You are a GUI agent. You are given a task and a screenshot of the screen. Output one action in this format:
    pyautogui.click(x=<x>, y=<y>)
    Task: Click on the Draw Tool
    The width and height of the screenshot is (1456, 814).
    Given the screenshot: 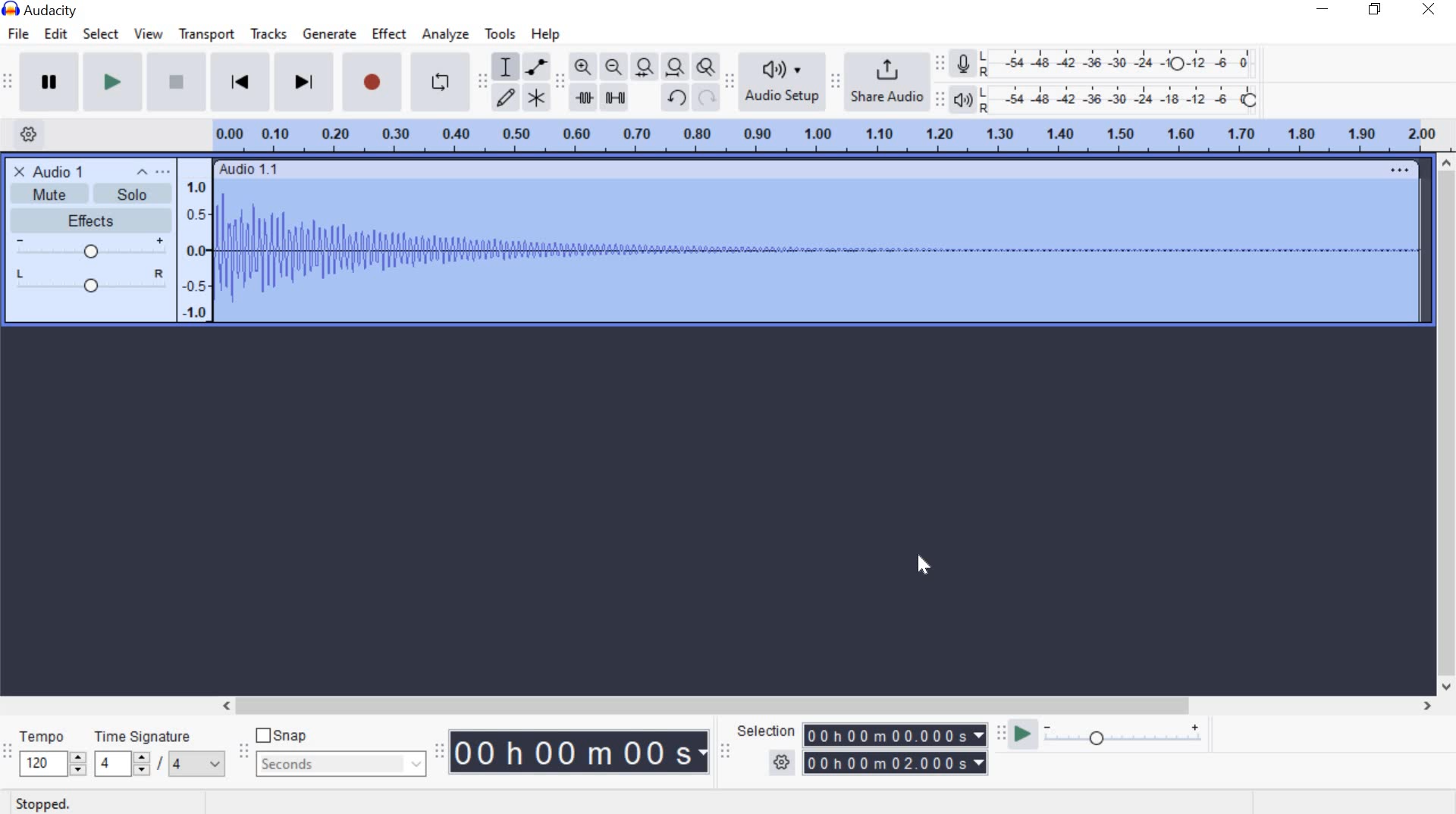 What is the action you would take?
    pyautogui.click(x=504, y=99)
    